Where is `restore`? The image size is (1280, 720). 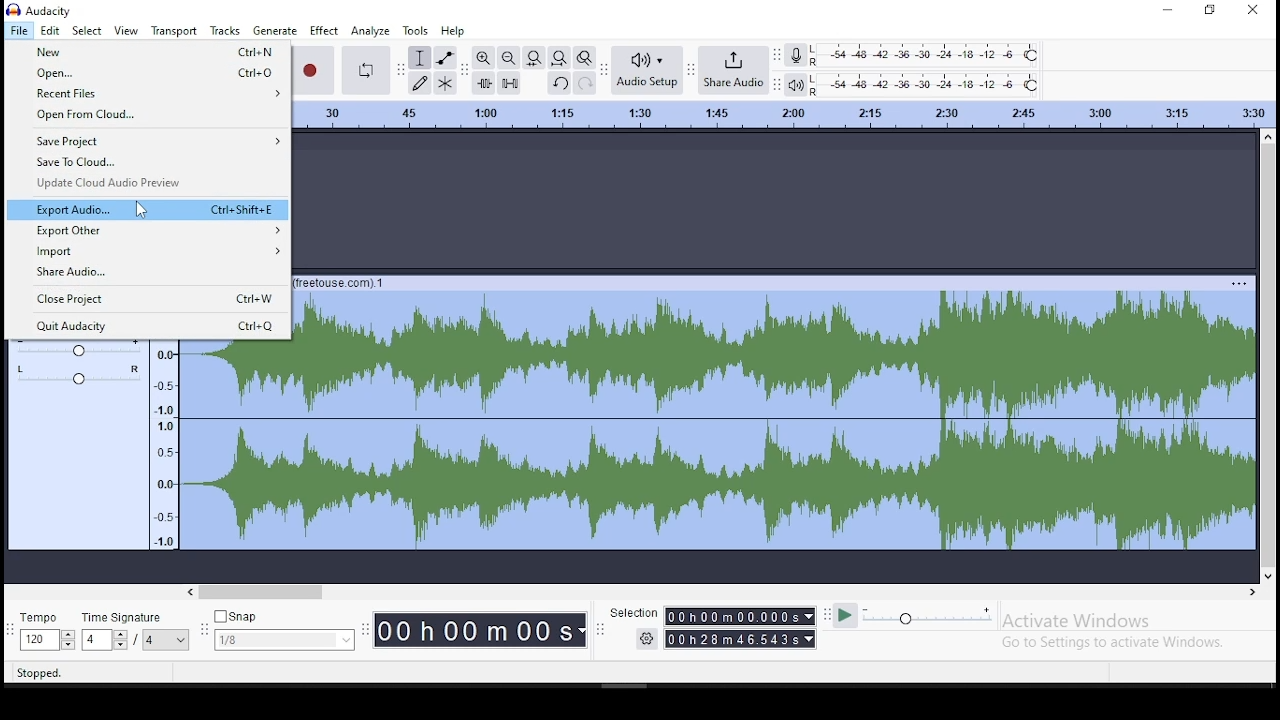 restore is located at coordinates (1212, 11).